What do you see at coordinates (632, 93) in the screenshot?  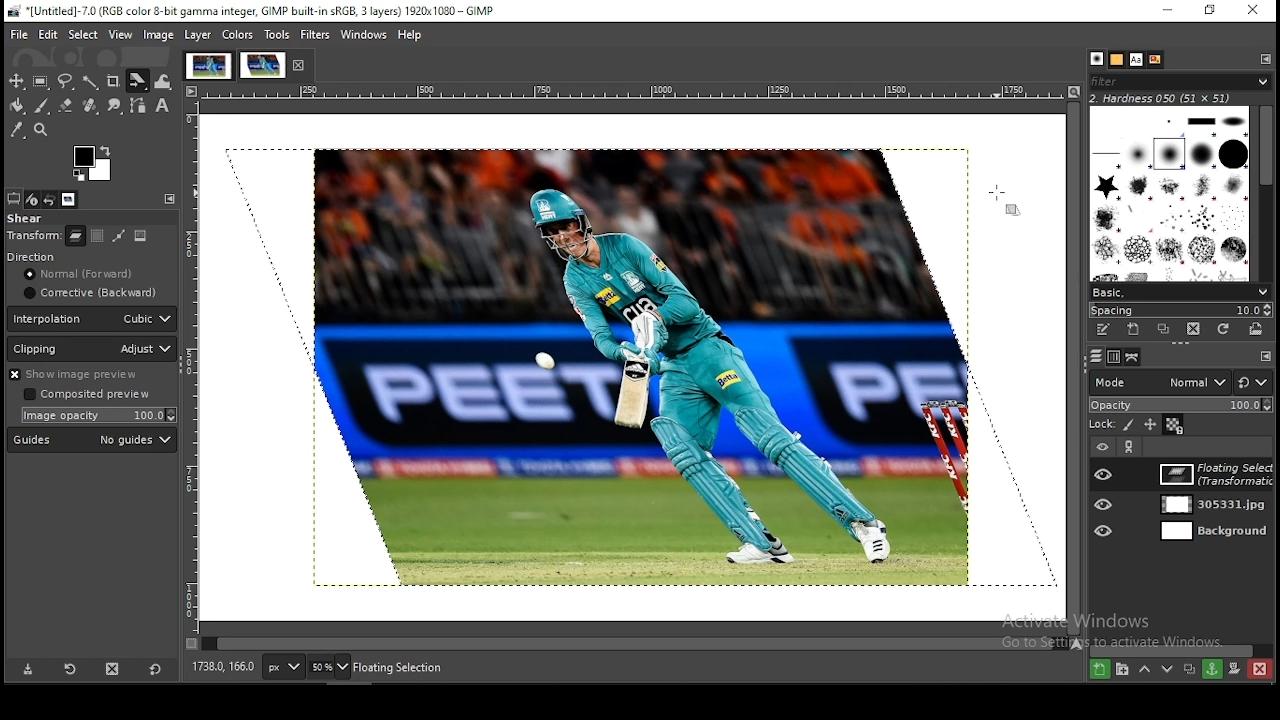 I see `horizontal scale` at bounding box center [632, 93].